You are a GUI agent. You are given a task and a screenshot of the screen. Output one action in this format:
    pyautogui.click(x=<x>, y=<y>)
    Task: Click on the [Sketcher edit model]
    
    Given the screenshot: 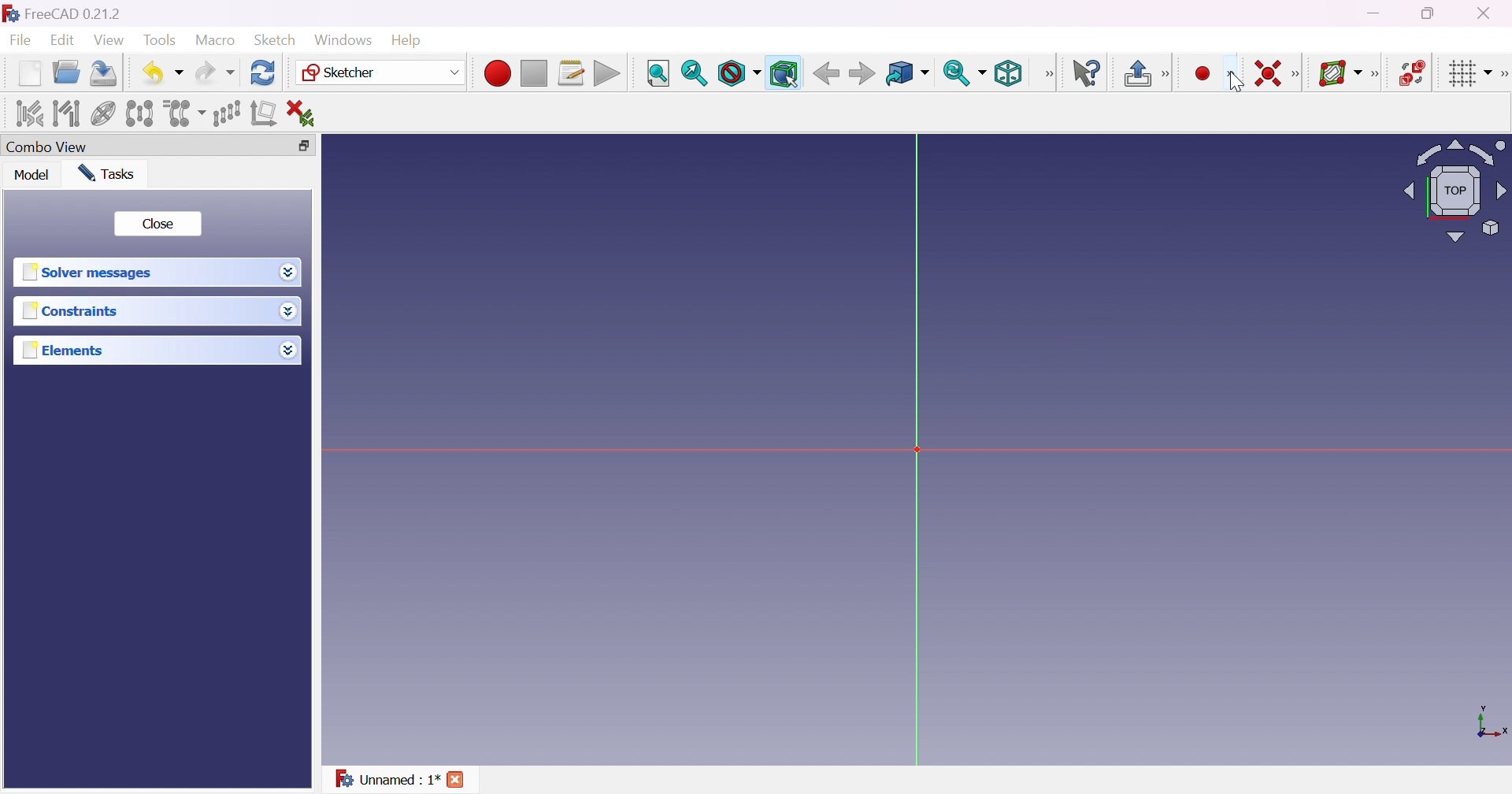 What is the action you would take?
    pyautogui.click(x=1168, y=72)
    